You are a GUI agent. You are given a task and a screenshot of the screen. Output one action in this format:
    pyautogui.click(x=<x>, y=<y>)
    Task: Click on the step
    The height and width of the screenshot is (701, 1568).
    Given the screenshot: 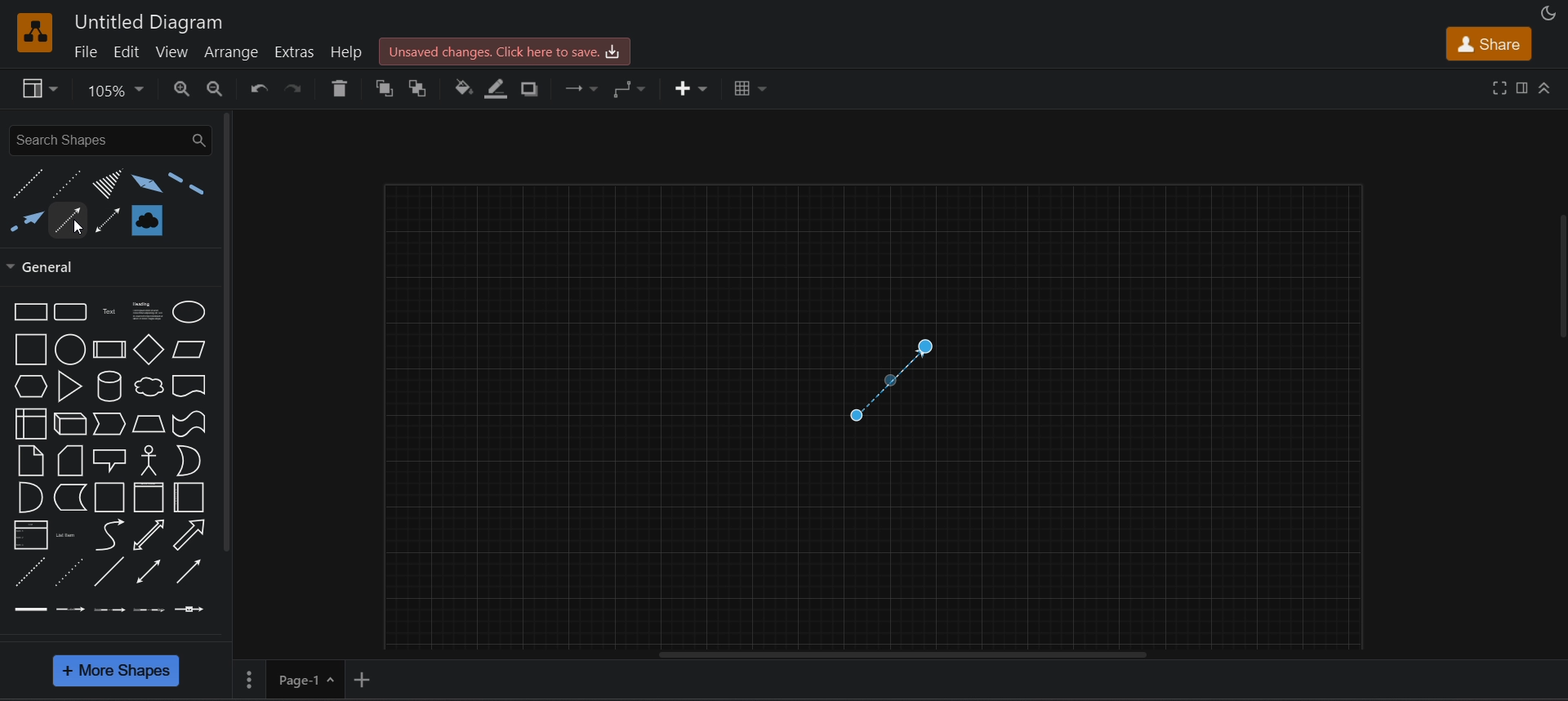 What is the action you would take?
    pyautogui.click(x=109, y=424)
    